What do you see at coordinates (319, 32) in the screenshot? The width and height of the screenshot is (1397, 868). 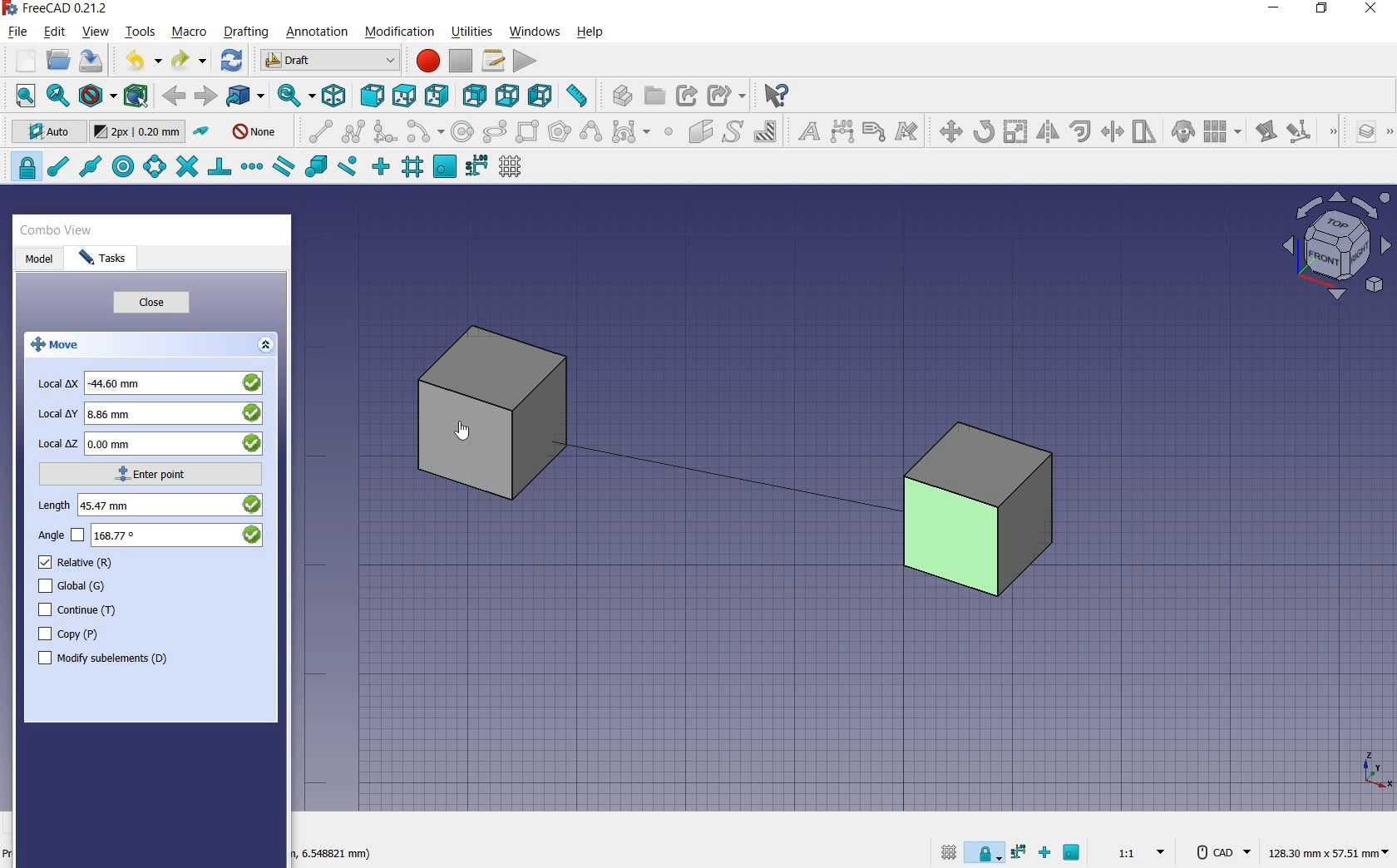 I see `annotation` at bounding box center [319, 32].